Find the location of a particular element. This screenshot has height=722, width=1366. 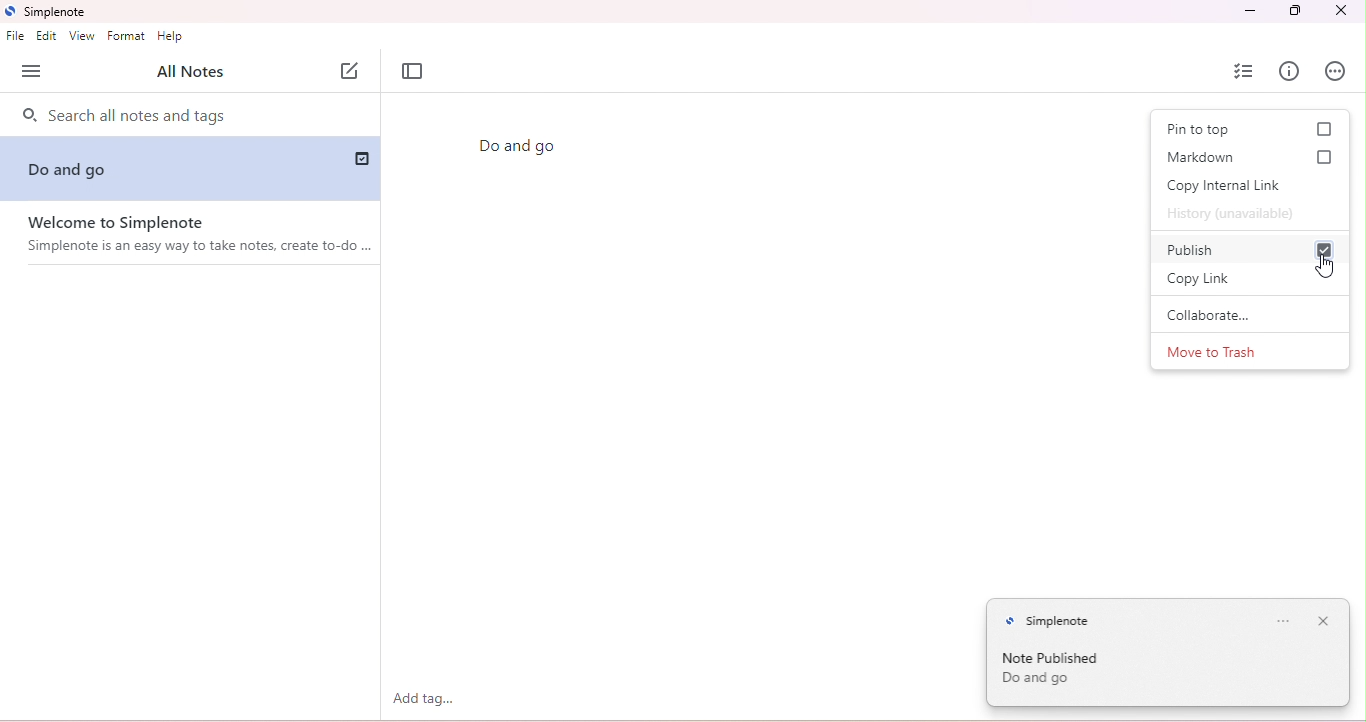

cursor is located at coordinates (1327, 266).